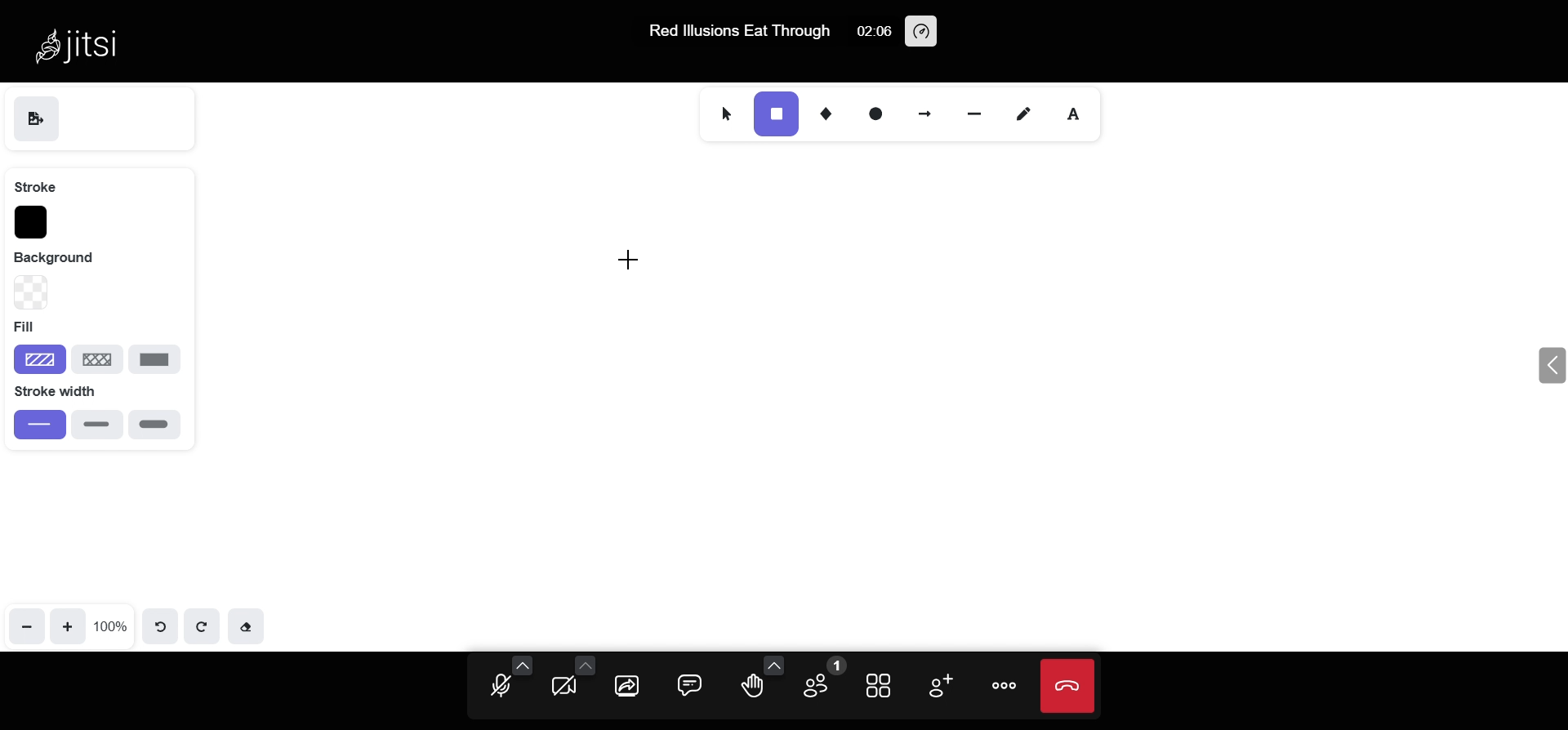  What do you see at coordinates (68, 391) in the screenshot?
I see `stroke width` at bounding box center [68, 391].